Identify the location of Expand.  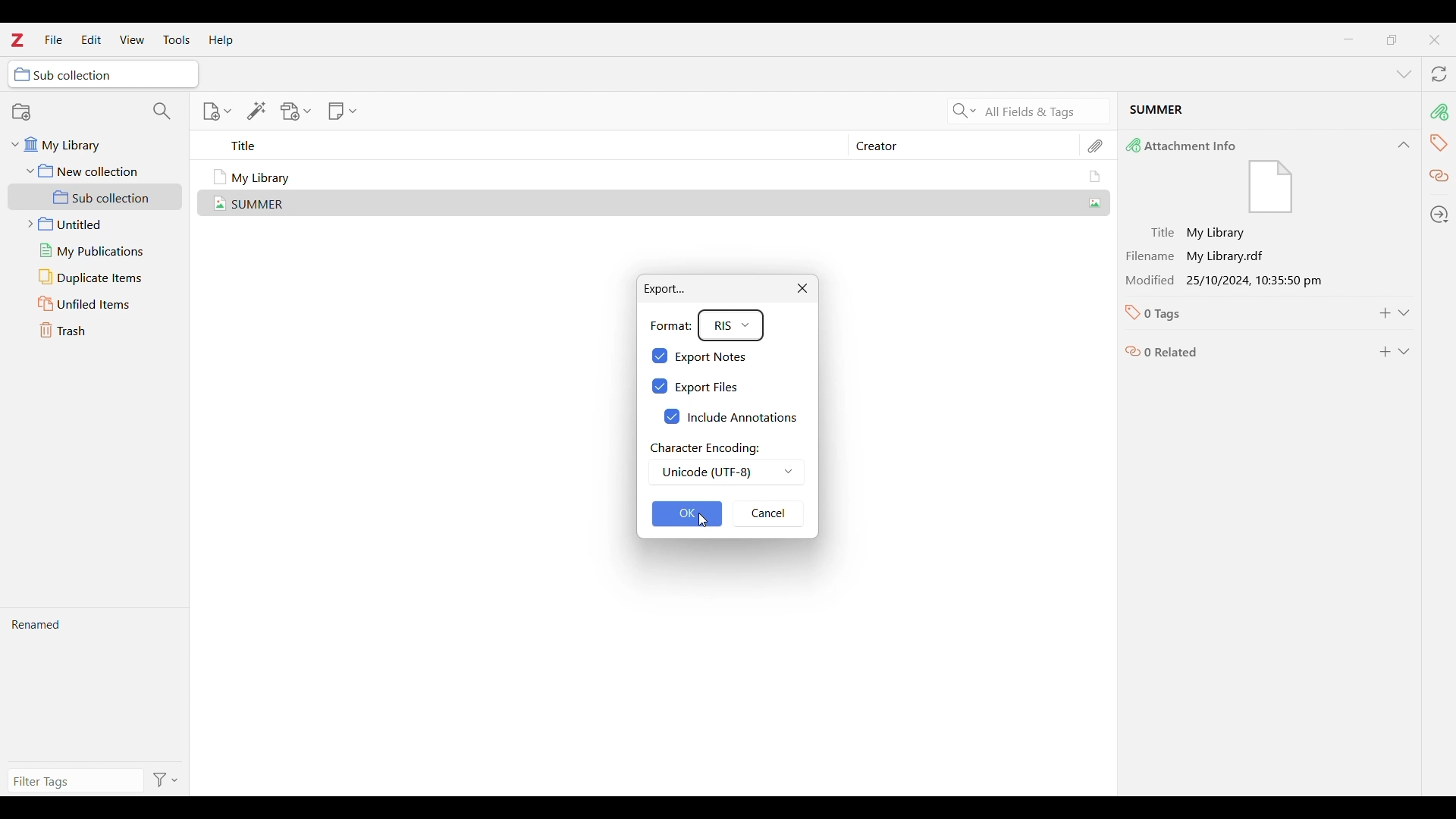
(1404, 352).